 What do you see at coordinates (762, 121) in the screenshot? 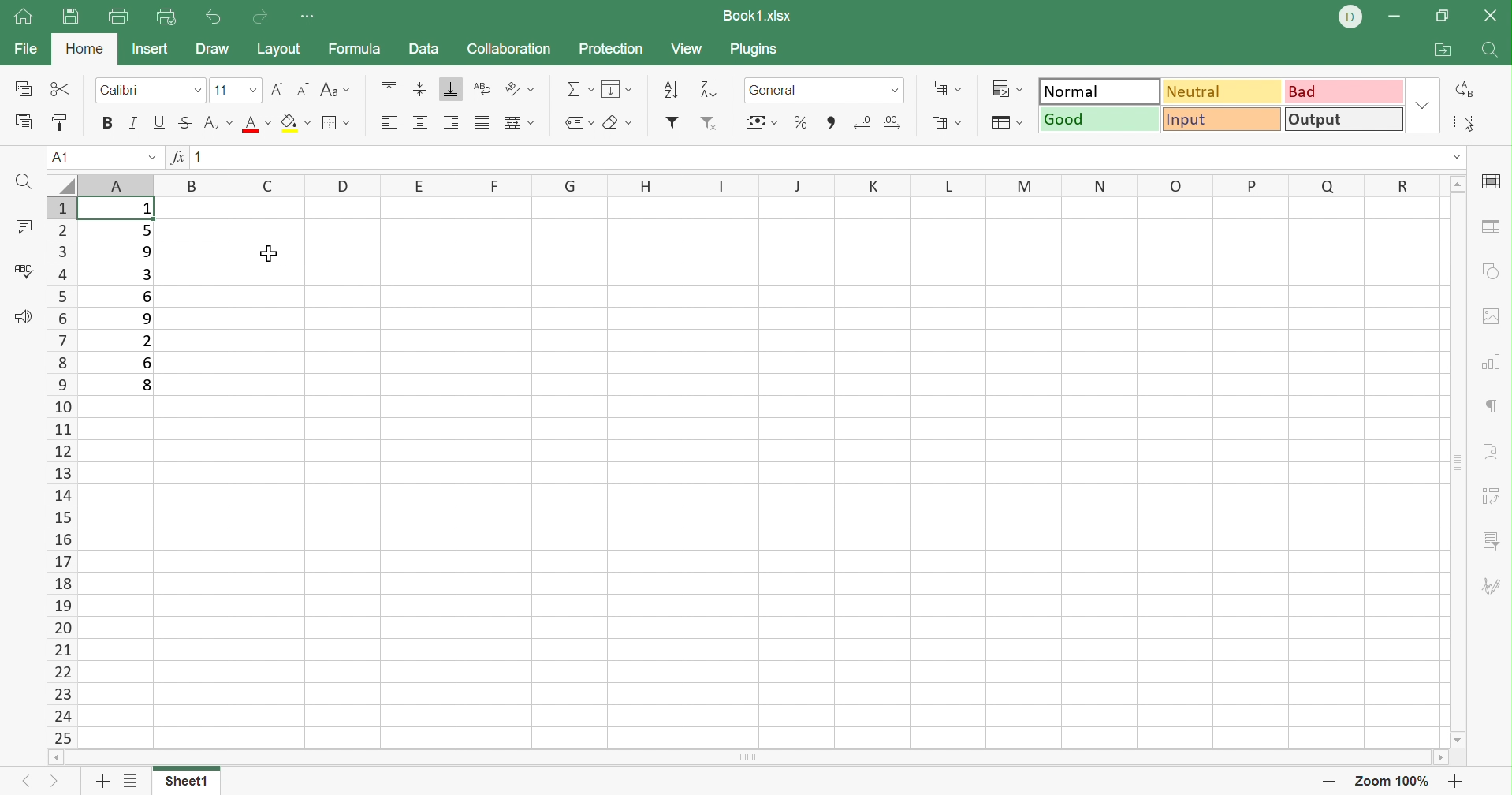
I see `Accounting style` at bounding box center [762, 121].